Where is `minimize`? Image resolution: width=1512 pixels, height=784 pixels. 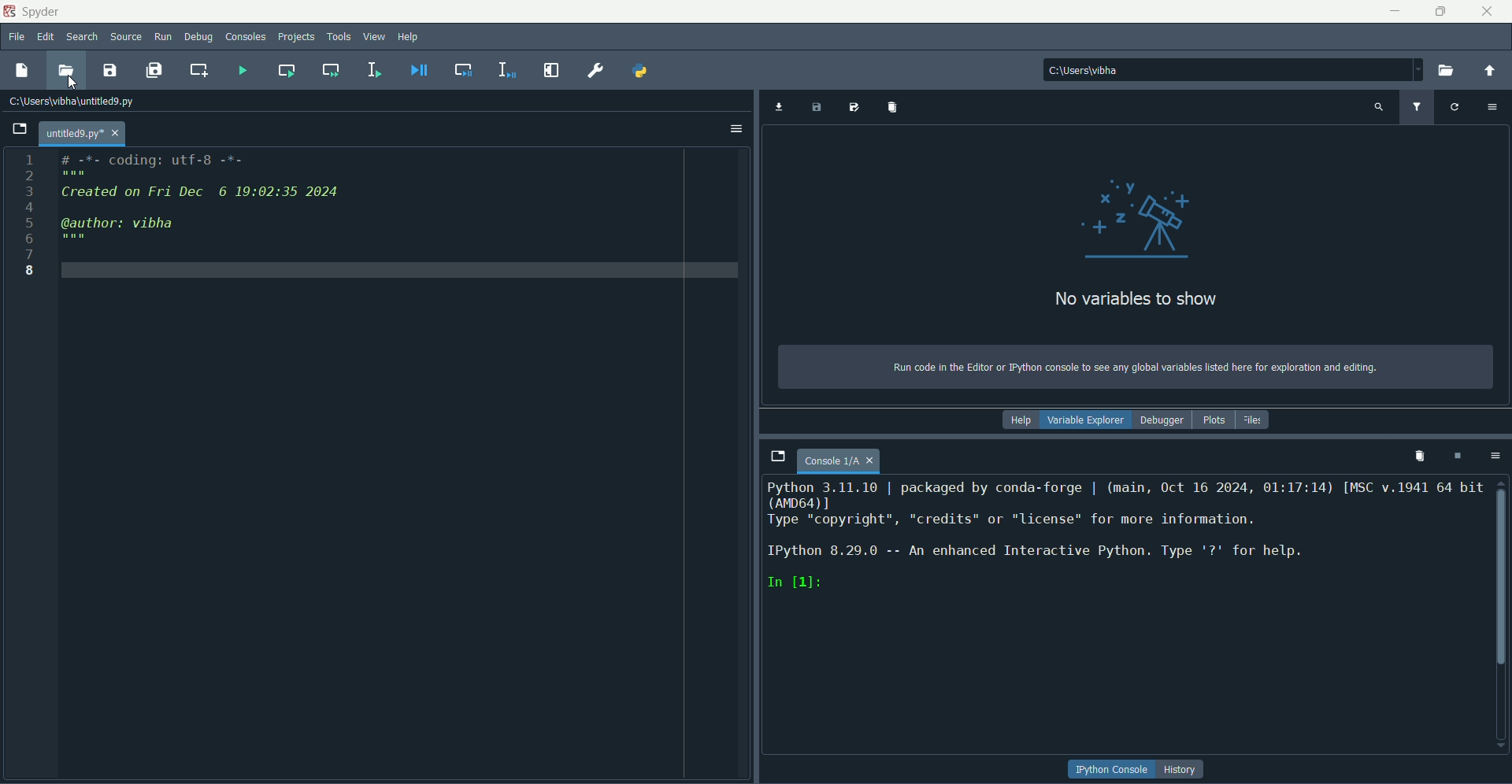
minimize is located at coordinates (1392, 10).